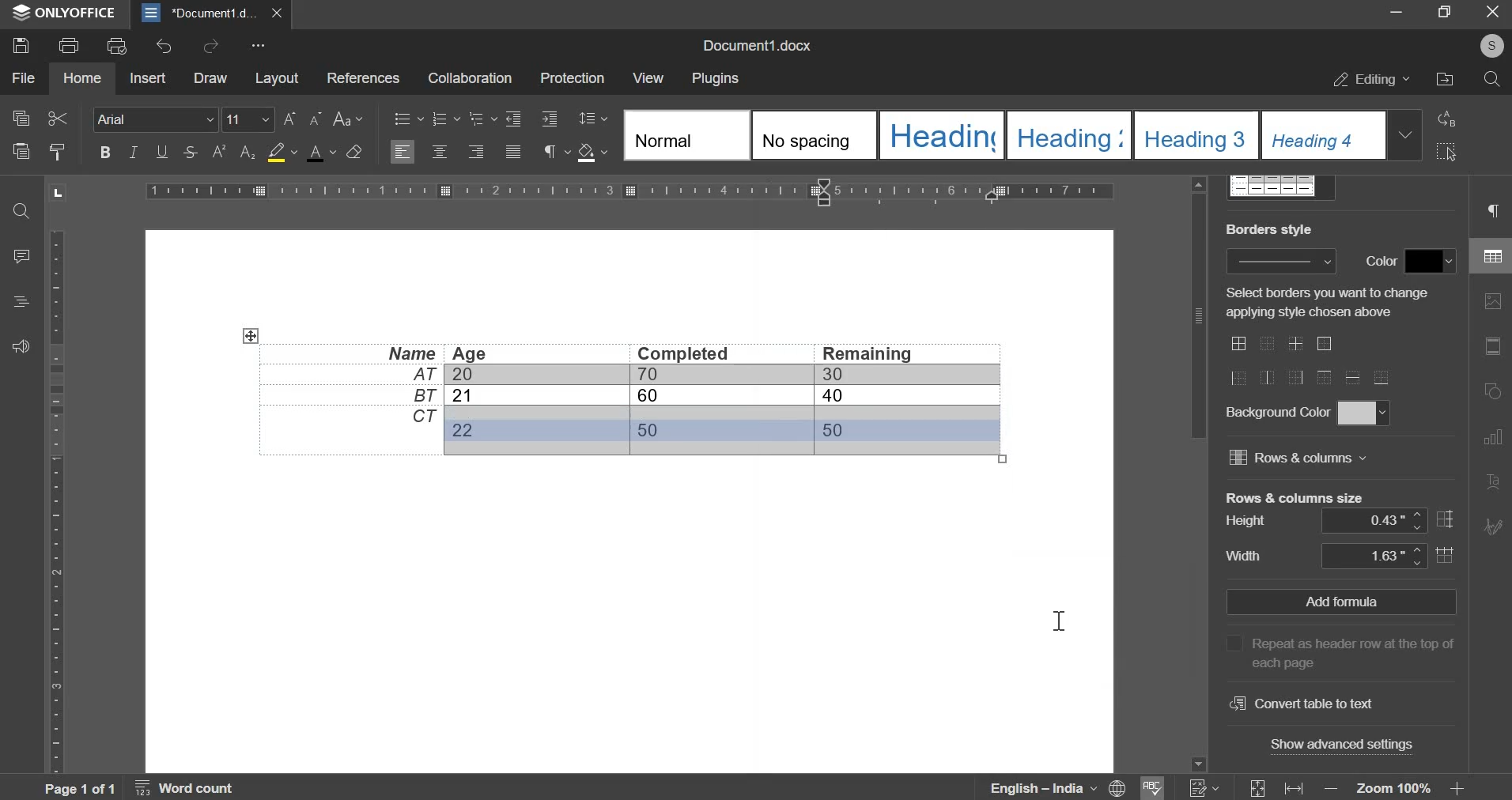 The width and height of the screenshot is (1512, 800). What do you see at coordinates (159, 152) in the screenshot?
I see `underline` at bounding box center [159, 152].